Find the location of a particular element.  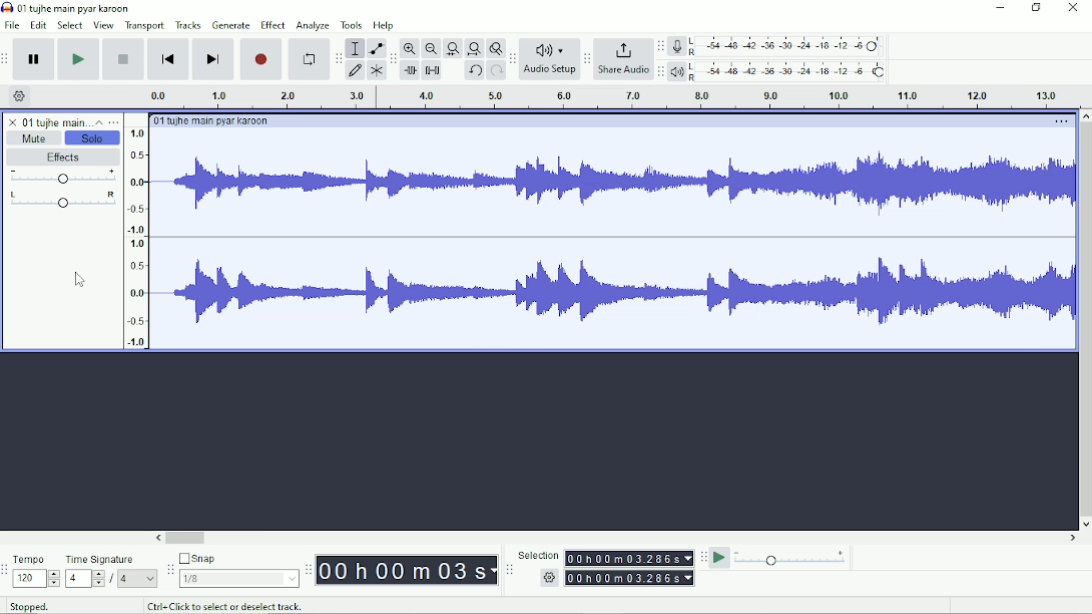

Silence audio selection is located at coordinates (432, 70).